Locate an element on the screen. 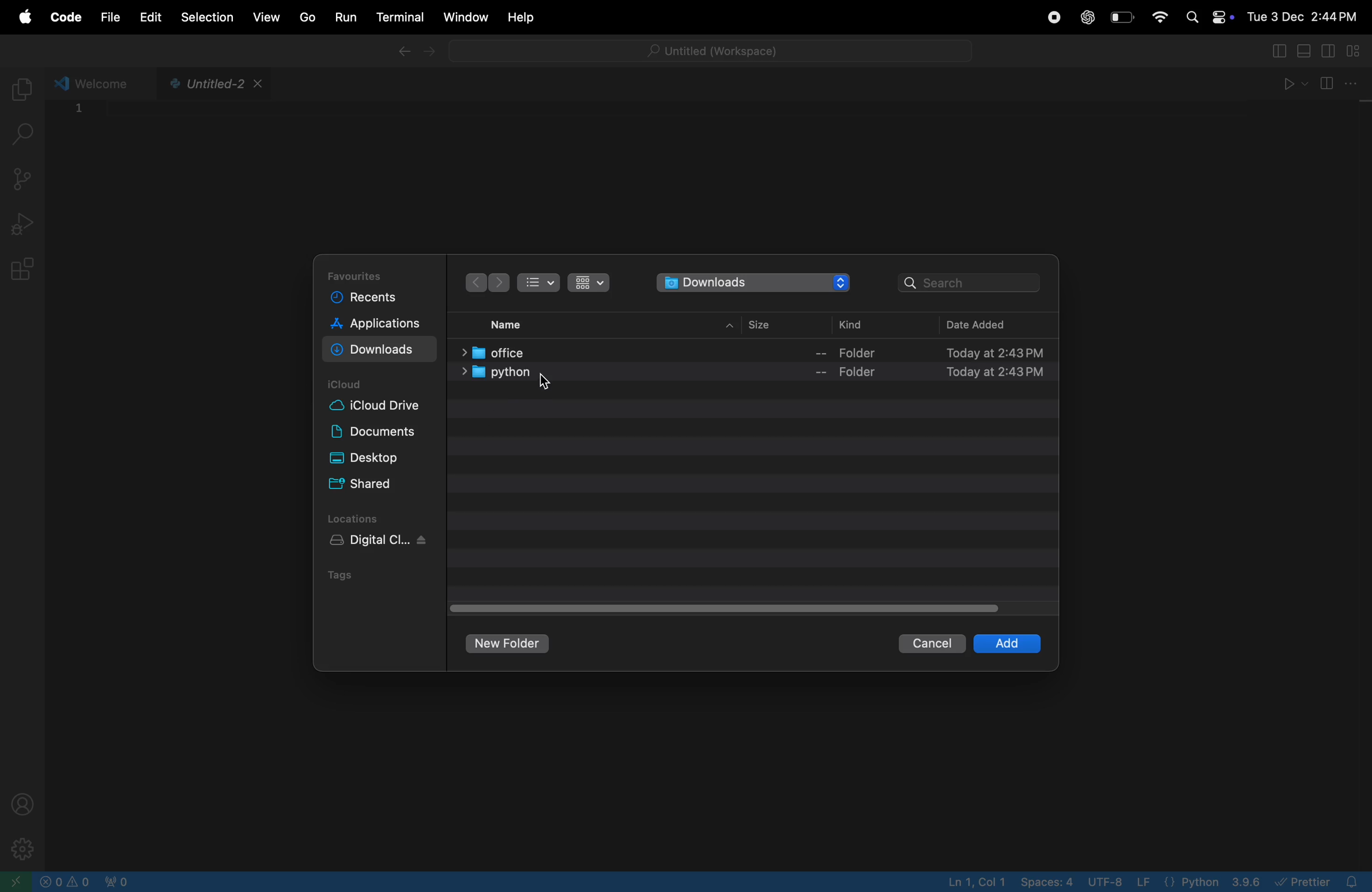  name is located at coordinates (508, 323).